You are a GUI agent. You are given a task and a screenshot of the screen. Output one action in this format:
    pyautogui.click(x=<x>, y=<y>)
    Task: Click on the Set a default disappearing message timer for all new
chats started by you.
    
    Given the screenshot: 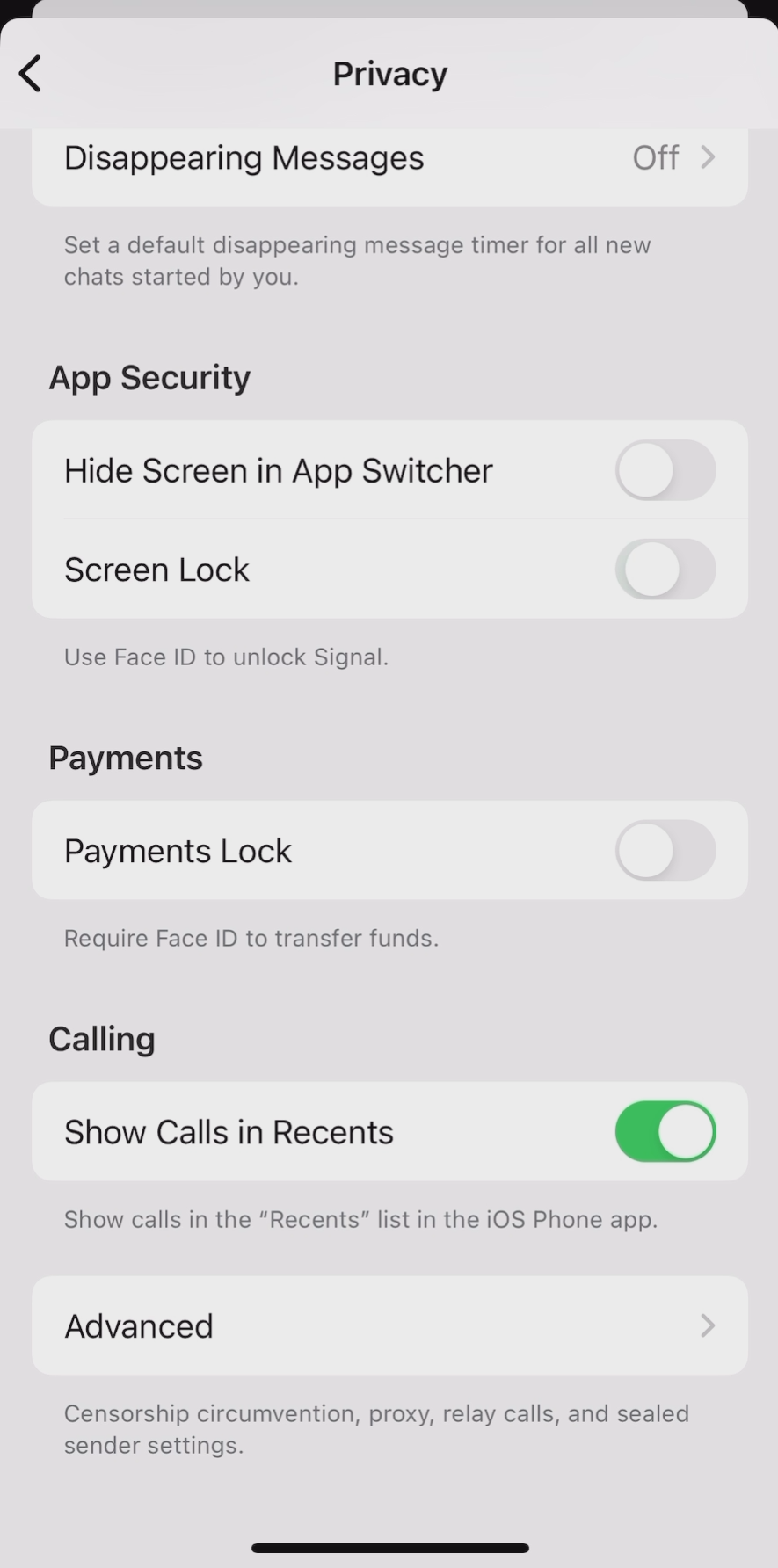 What is the action you would take?
    pyautogui.click(x=360, y=265)
    